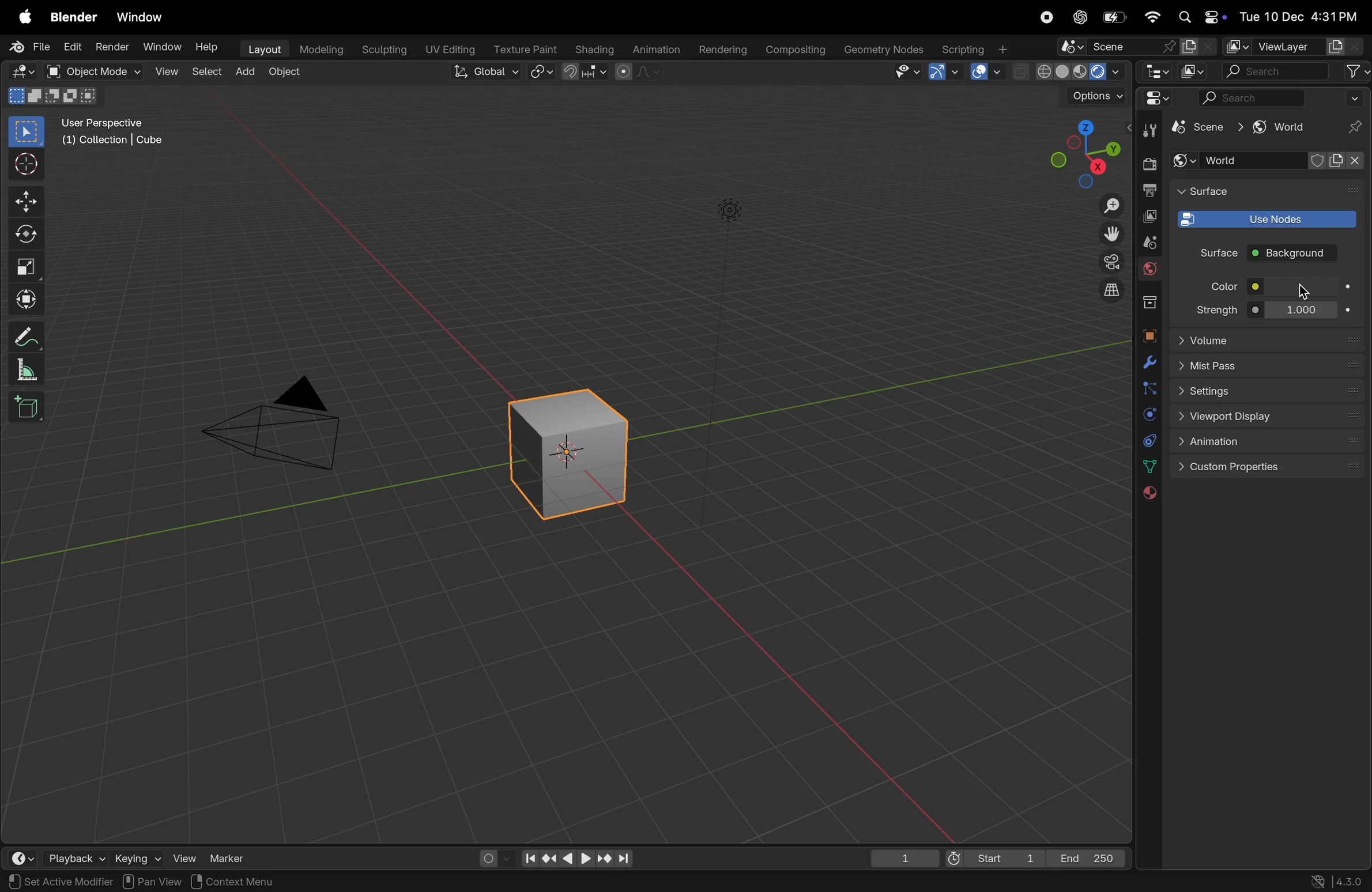  Describe the element at coordinates (31, 369) in the screenshot. I see `scale` at that location.